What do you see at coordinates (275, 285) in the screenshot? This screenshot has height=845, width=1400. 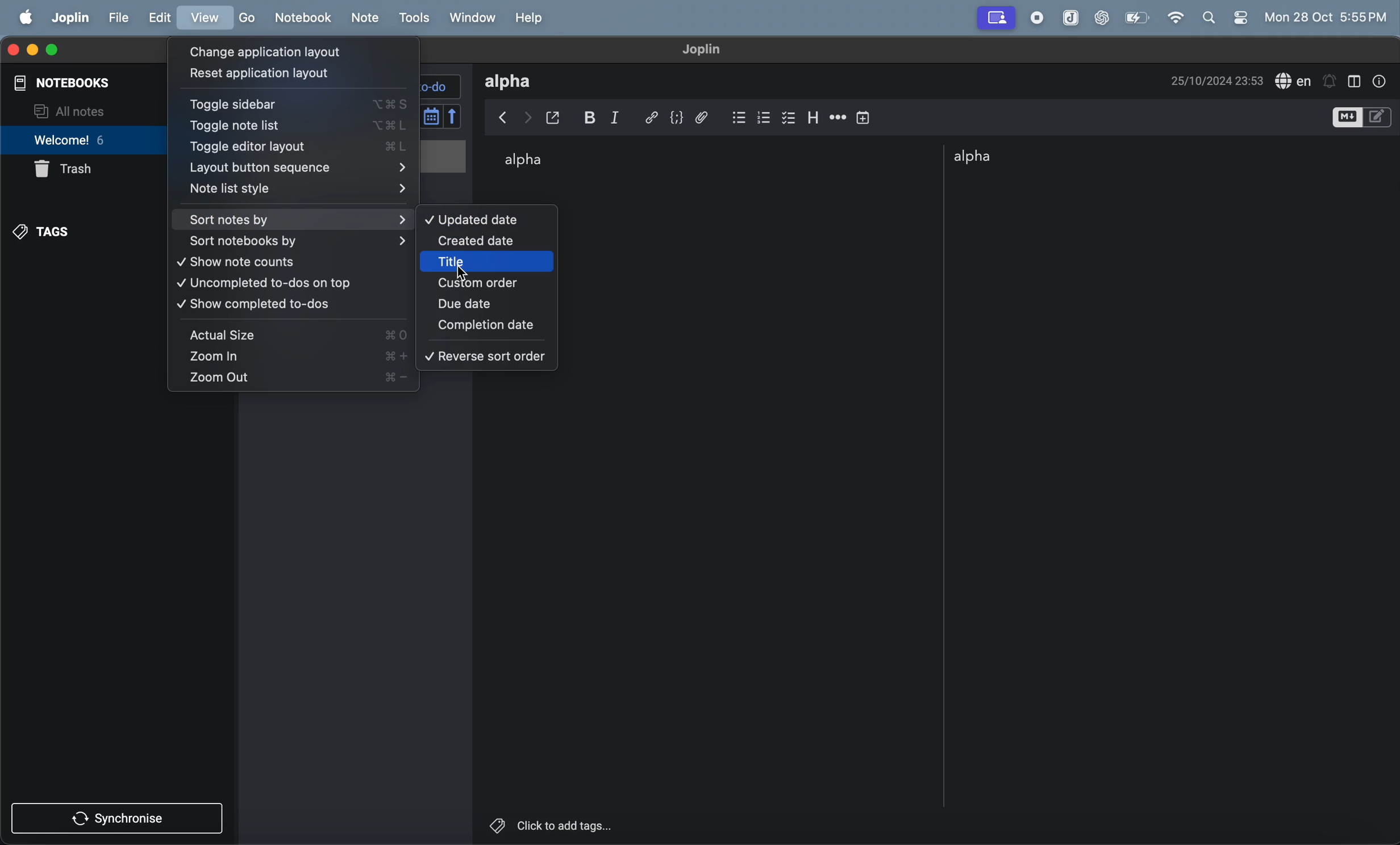 I see `uncompleted to dos on top` at bounding box center [275, 285].